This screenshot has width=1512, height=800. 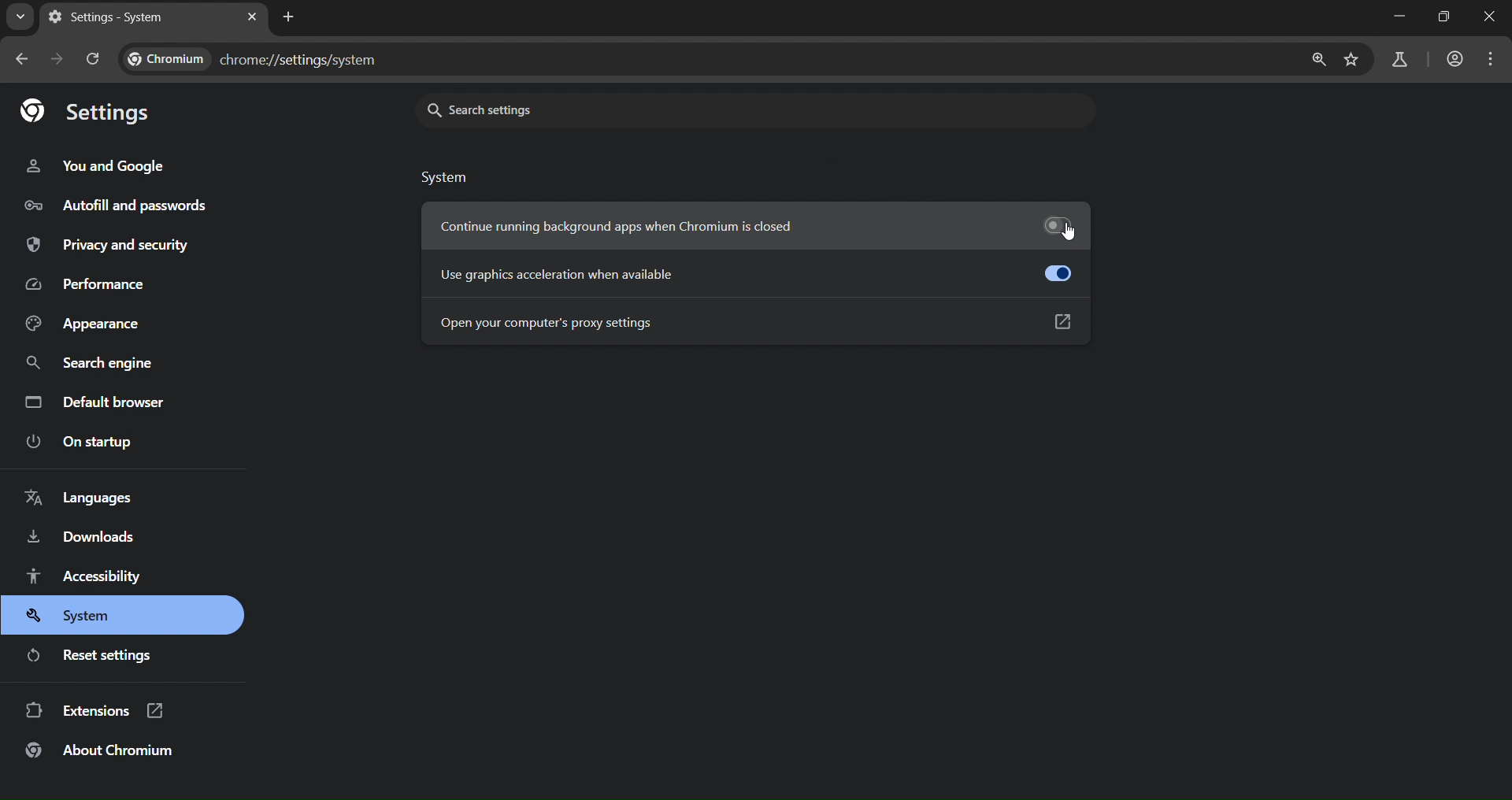 What do you see at coordinates (1402, 58) in the screenshot?
I see `accounts` at bounding box center [1402, 58].